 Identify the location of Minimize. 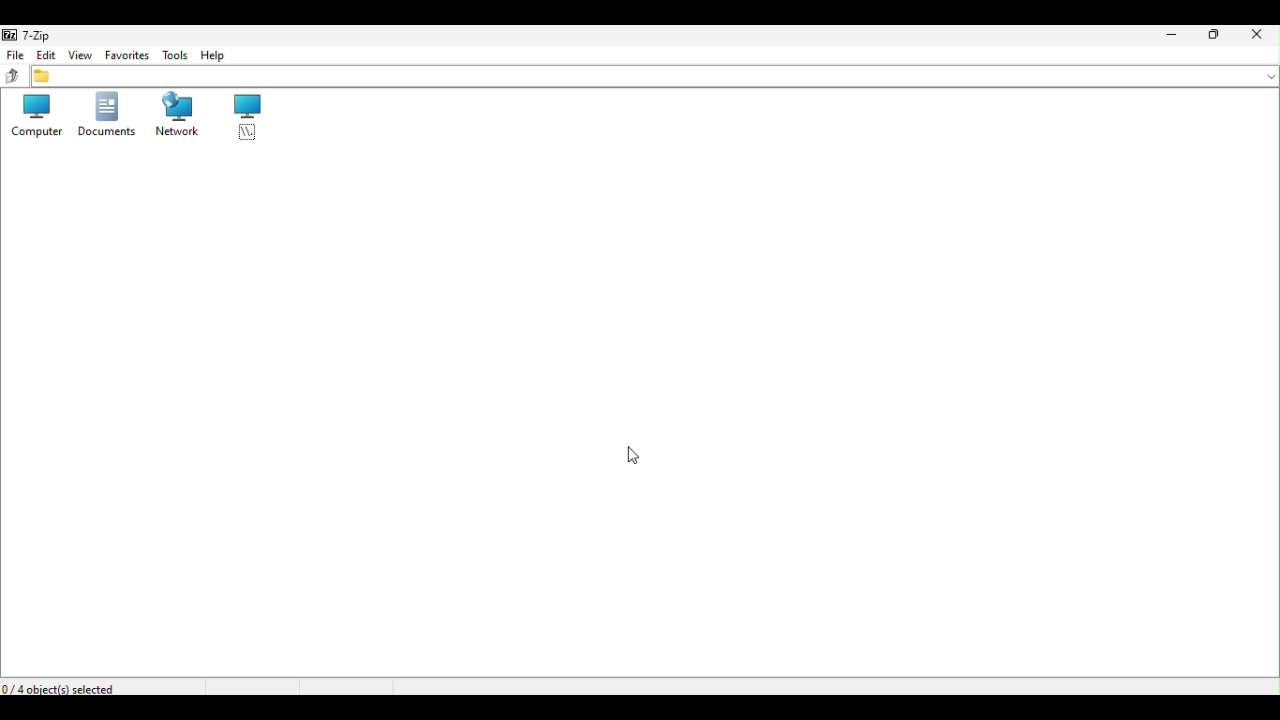
(1176, 35).